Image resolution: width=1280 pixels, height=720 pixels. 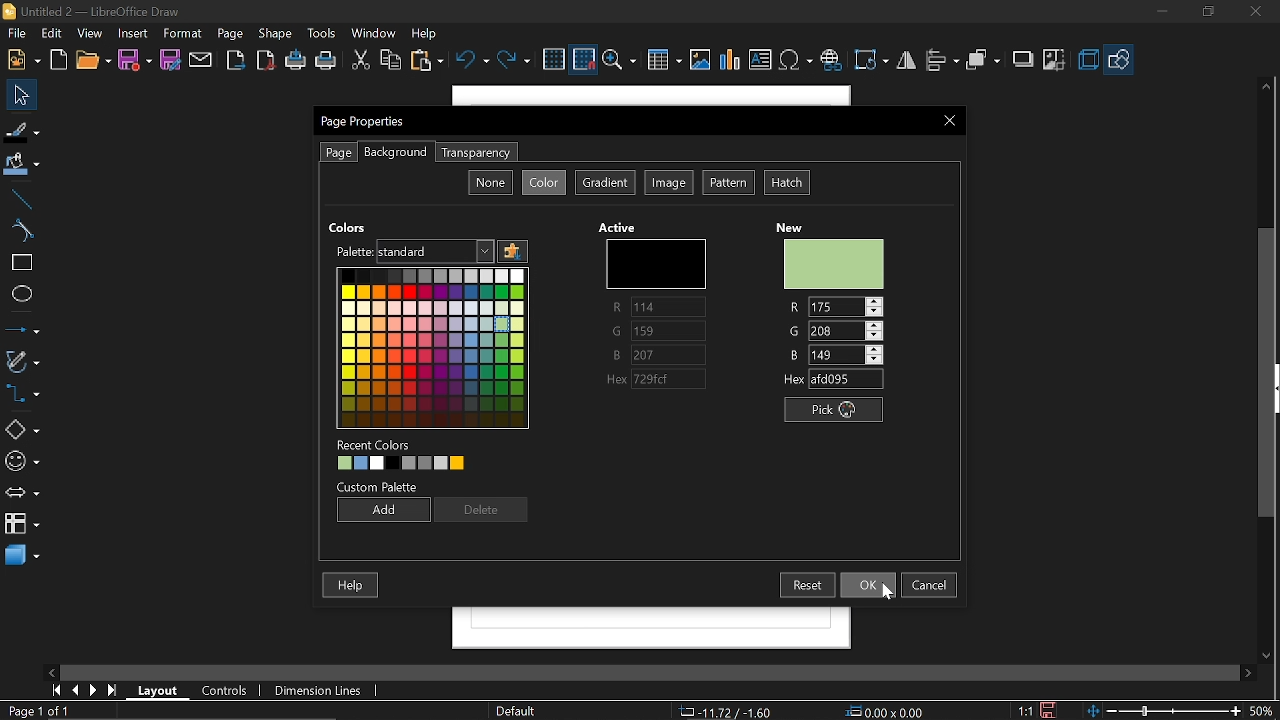 I want to click on Page, so click(x=338, y=152).